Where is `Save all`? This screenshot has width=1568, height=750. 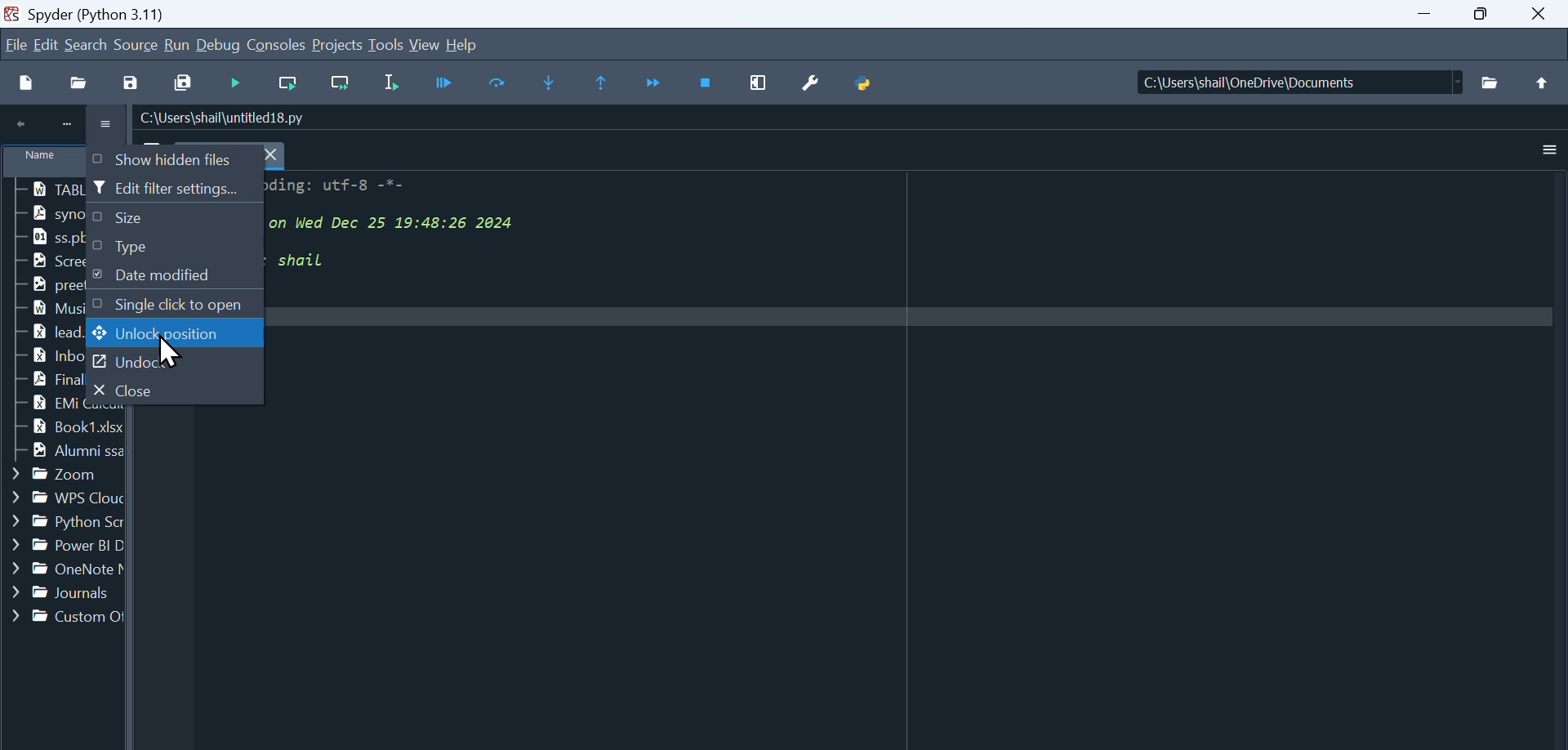 Save all is located at coordinates (181, 81).